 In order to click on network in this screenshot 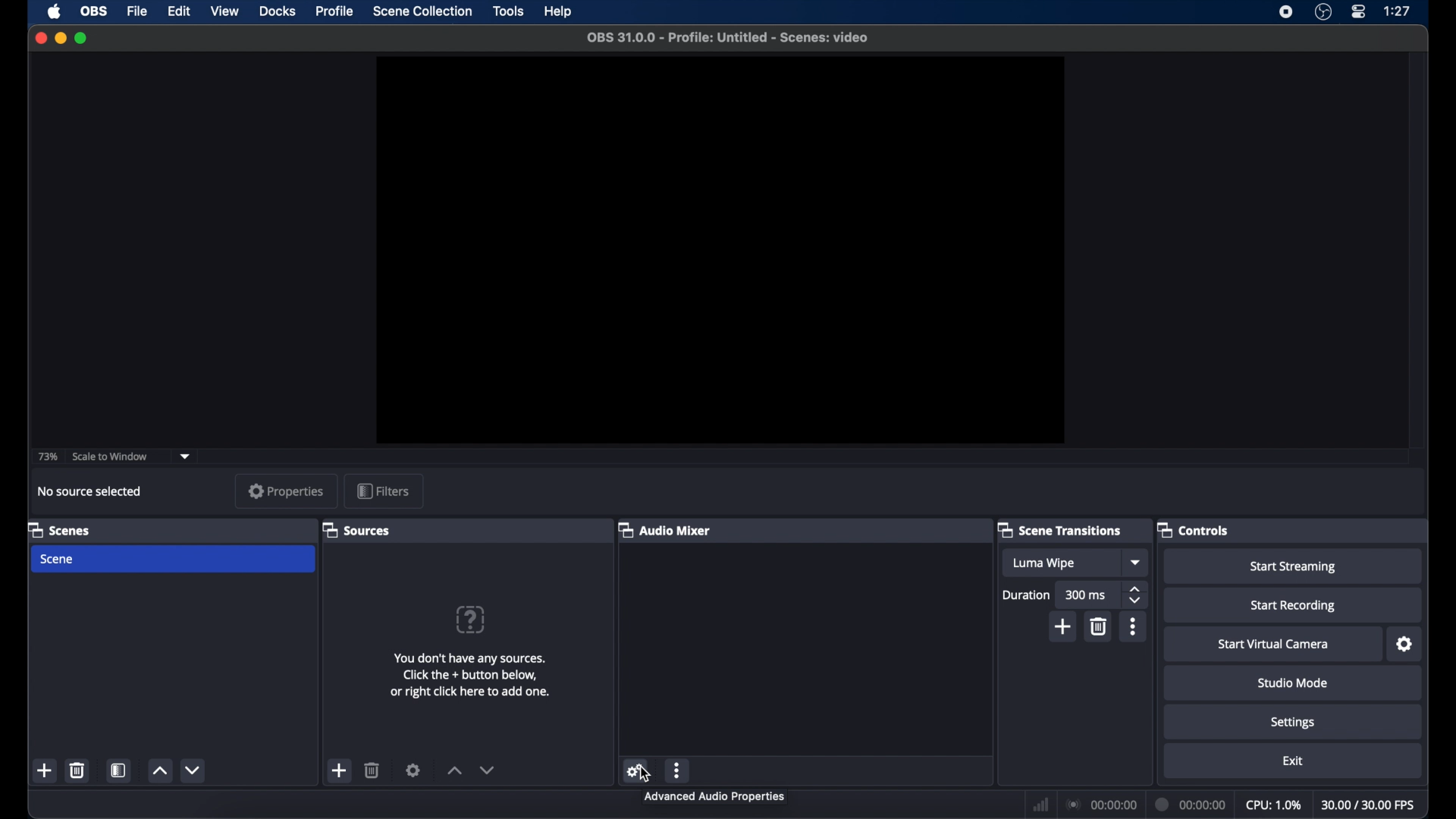, I will do `click(1041, 803)`.